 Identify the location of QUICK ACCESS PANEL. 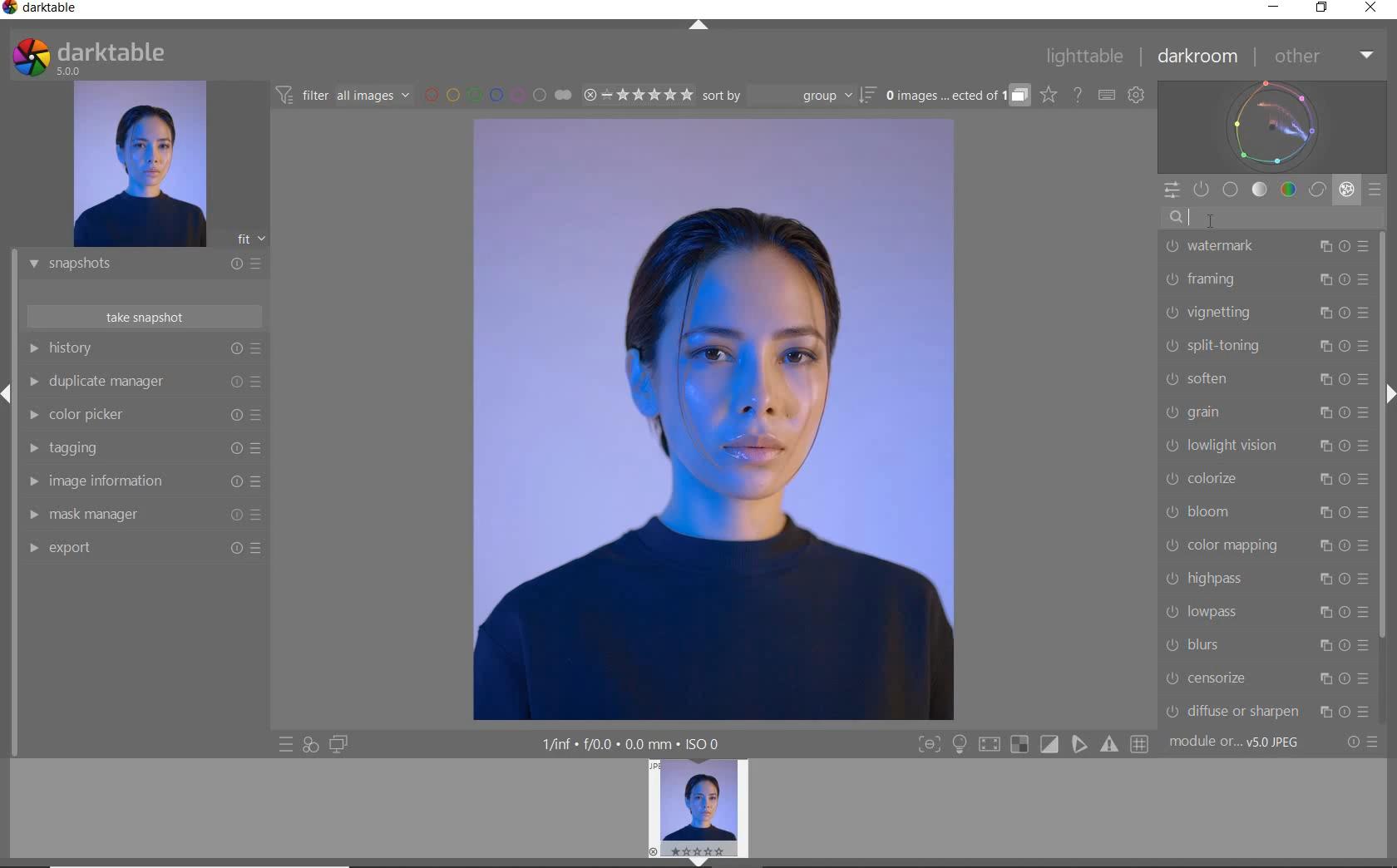
(1171, 191).